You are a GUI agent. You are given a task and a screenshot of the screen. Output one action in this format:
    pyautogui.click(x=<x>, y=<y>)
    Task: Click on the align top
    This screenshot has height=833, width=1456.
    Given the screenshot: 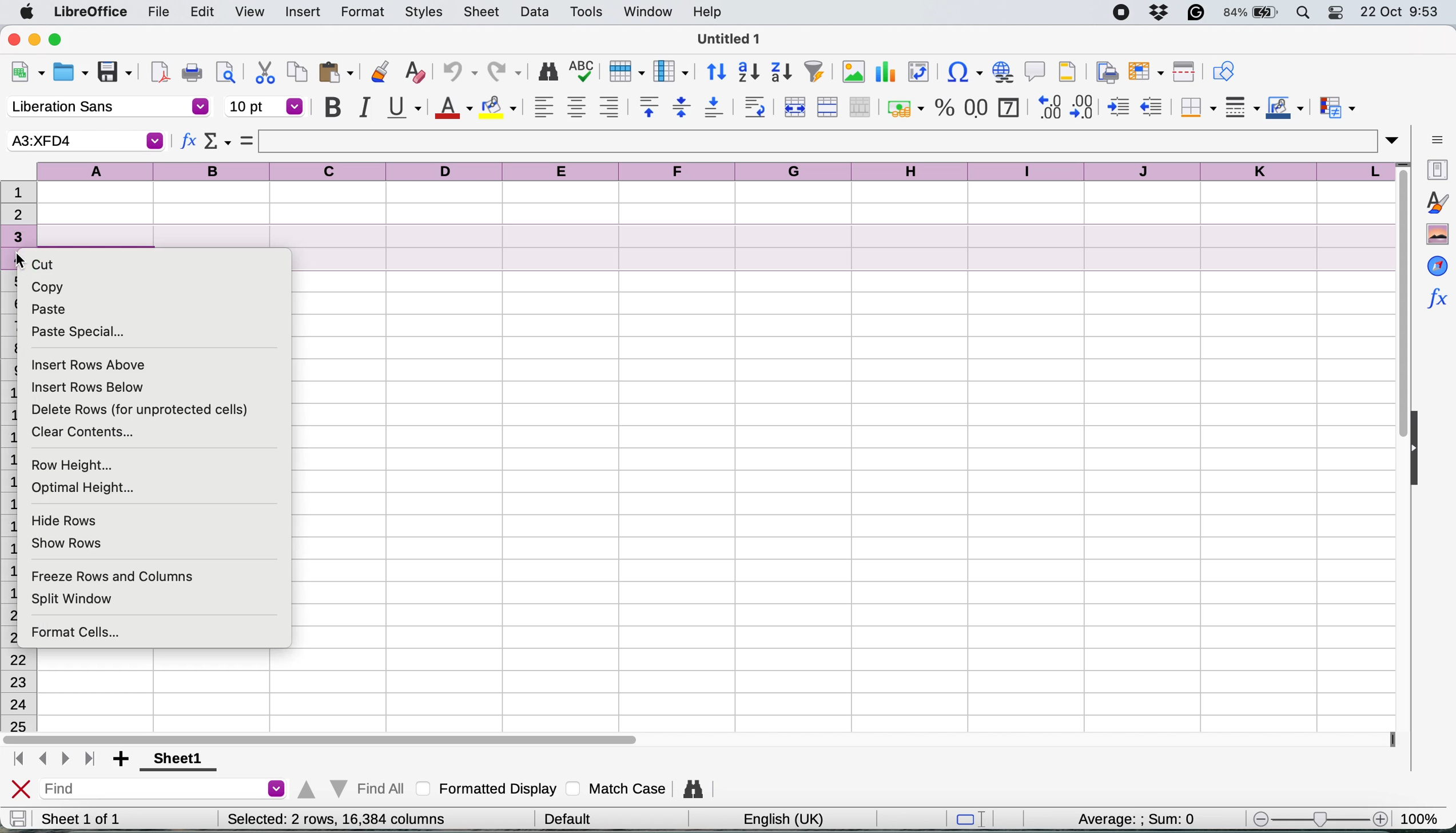 What is the action you would take?
    pyautogui.click(x=649, y=106)
    